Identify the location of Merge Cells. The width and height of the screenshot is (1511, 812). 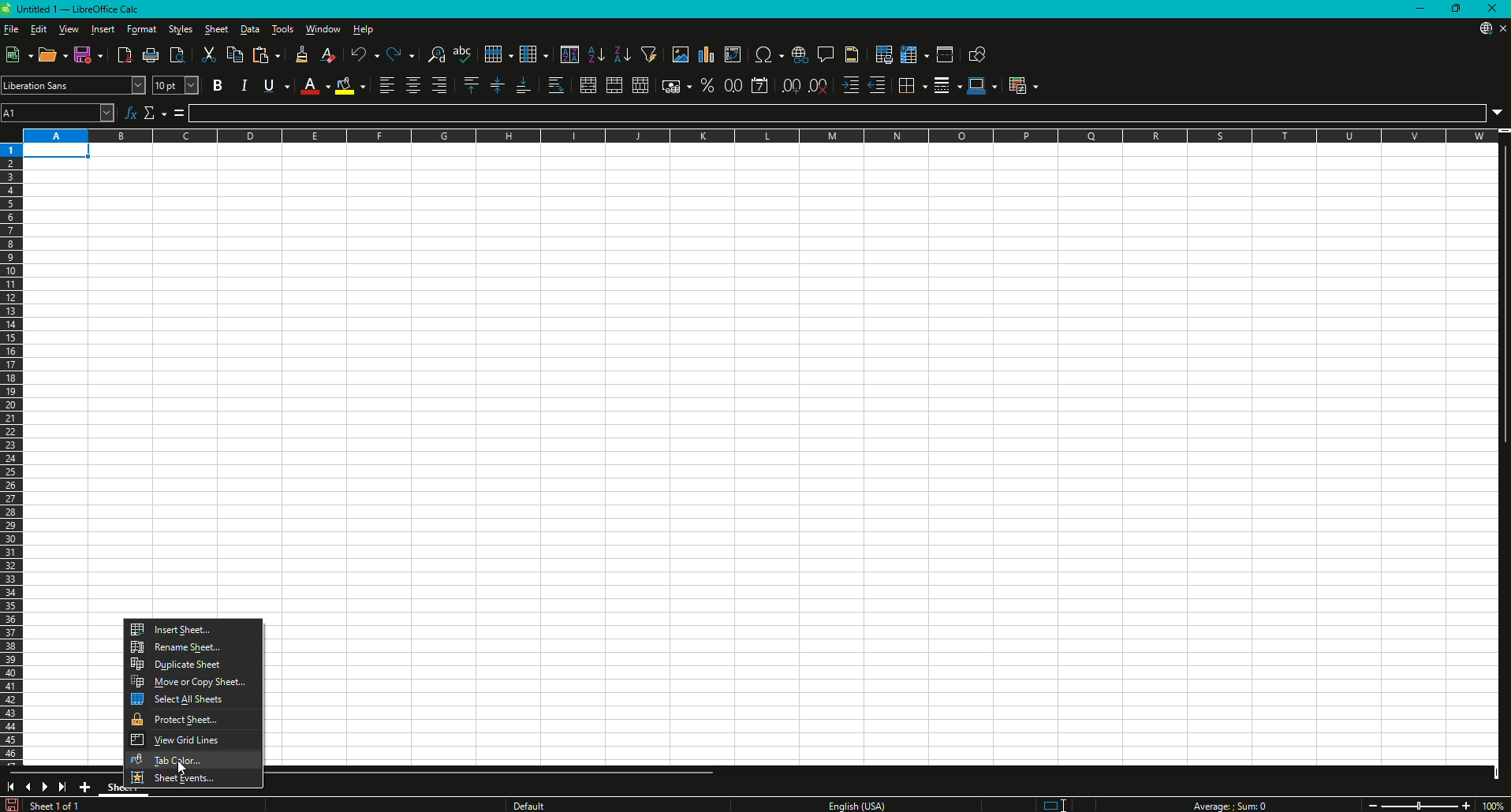
(614, 85).